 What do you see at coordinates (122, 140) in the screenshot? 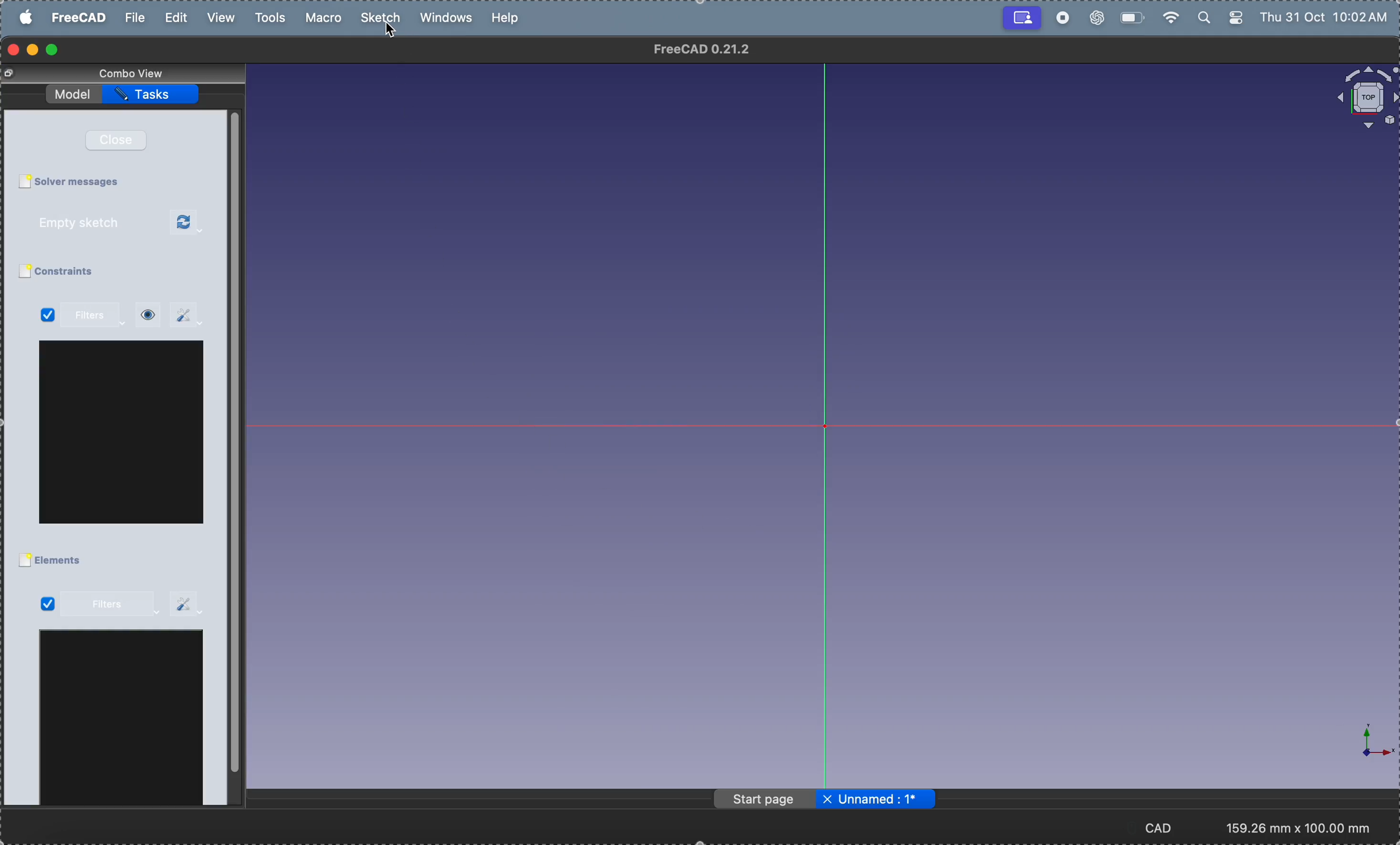
I see `close` at bounding box center [122, 140].